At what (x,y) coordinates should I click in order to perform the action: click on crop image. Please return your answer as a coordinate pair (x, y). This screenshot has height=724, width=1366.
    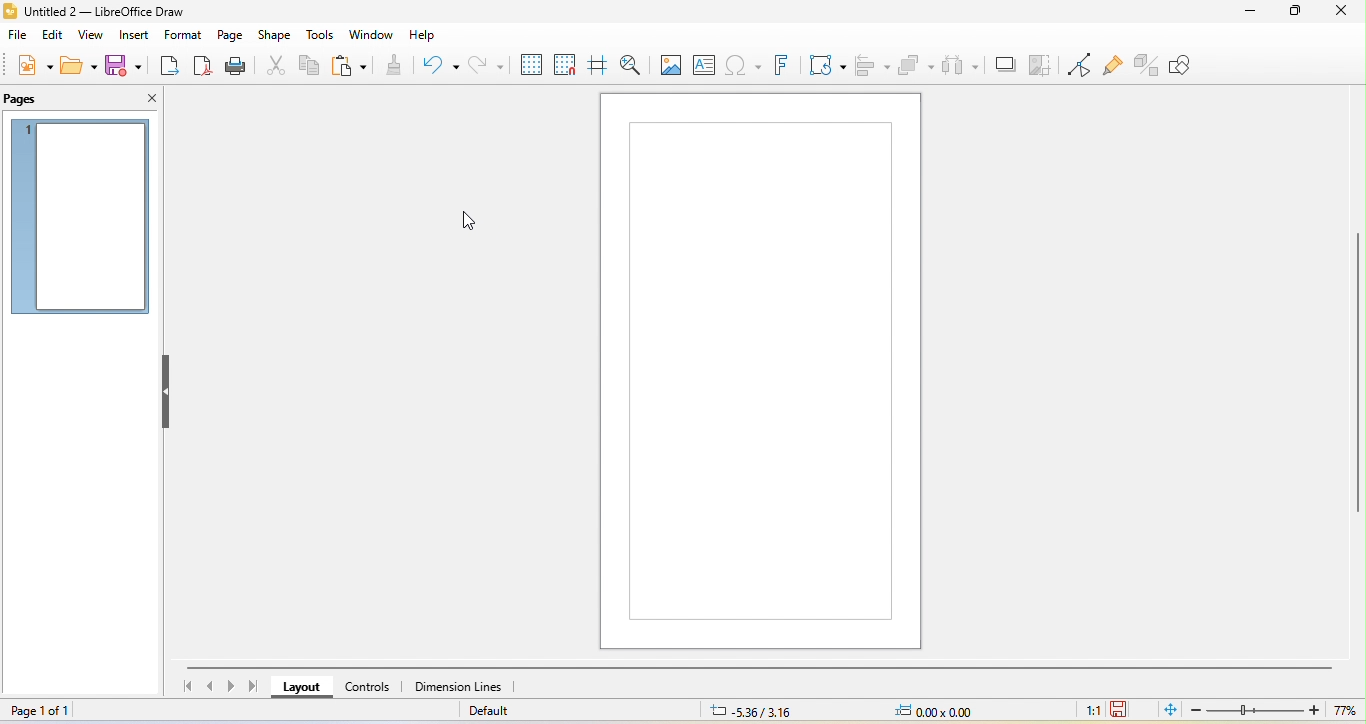
    Looking at the image, I should click on (1045, 66).